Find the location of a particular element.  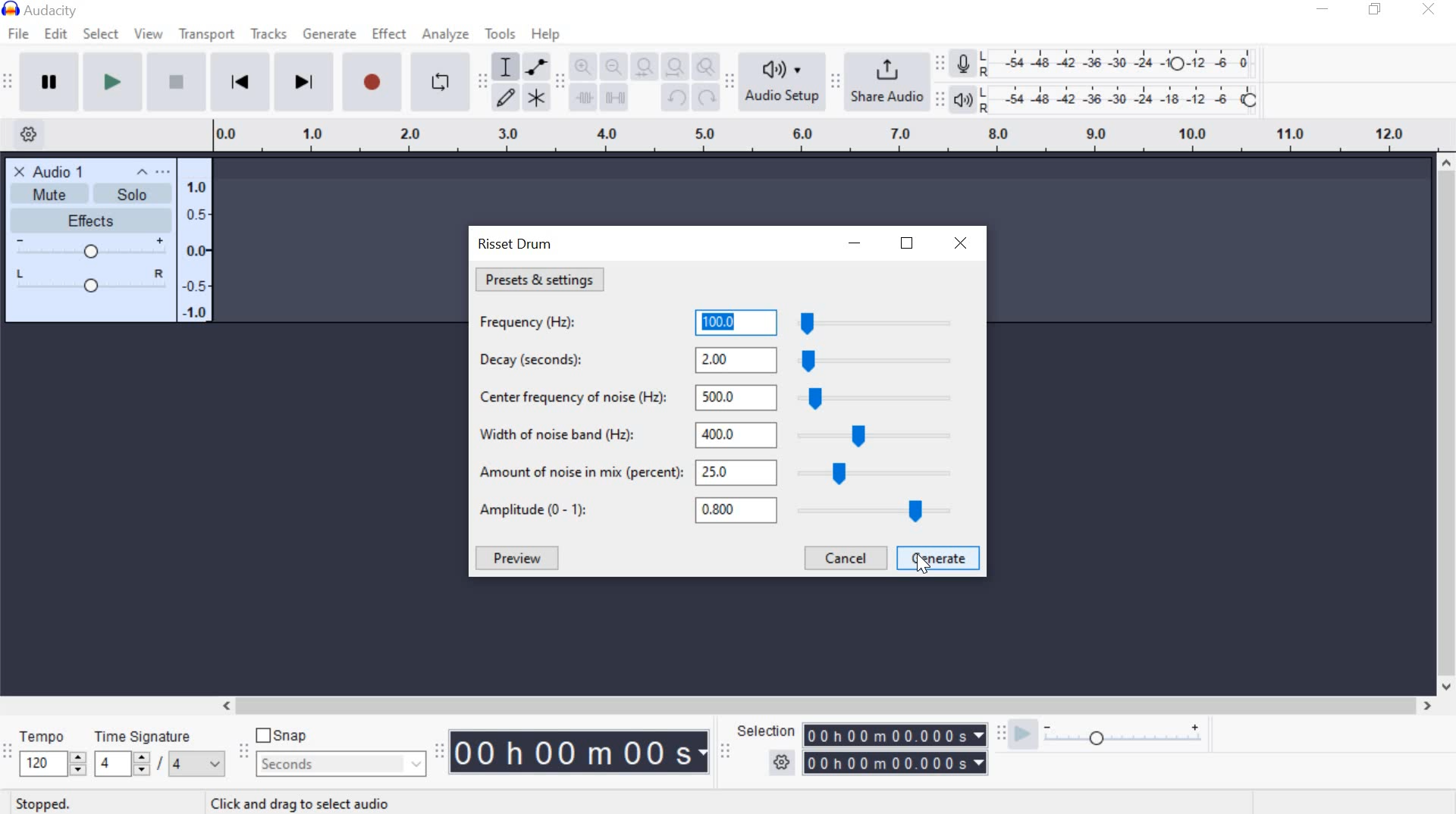

Record Meter is located at coordinates (964, 65).